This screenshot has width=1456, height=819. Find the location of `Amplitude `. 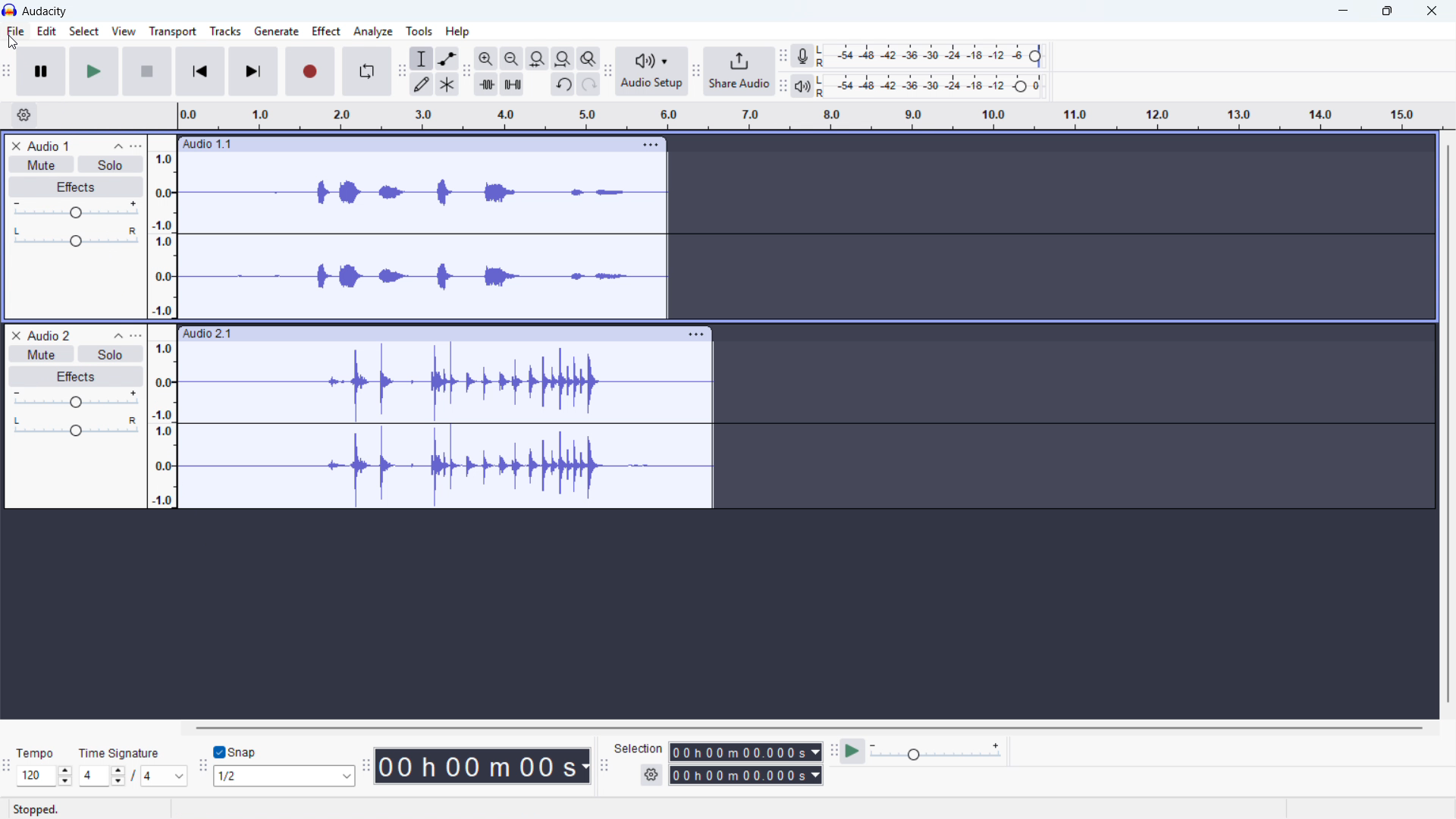

Amplitude  is located at coordinates (162, 322).